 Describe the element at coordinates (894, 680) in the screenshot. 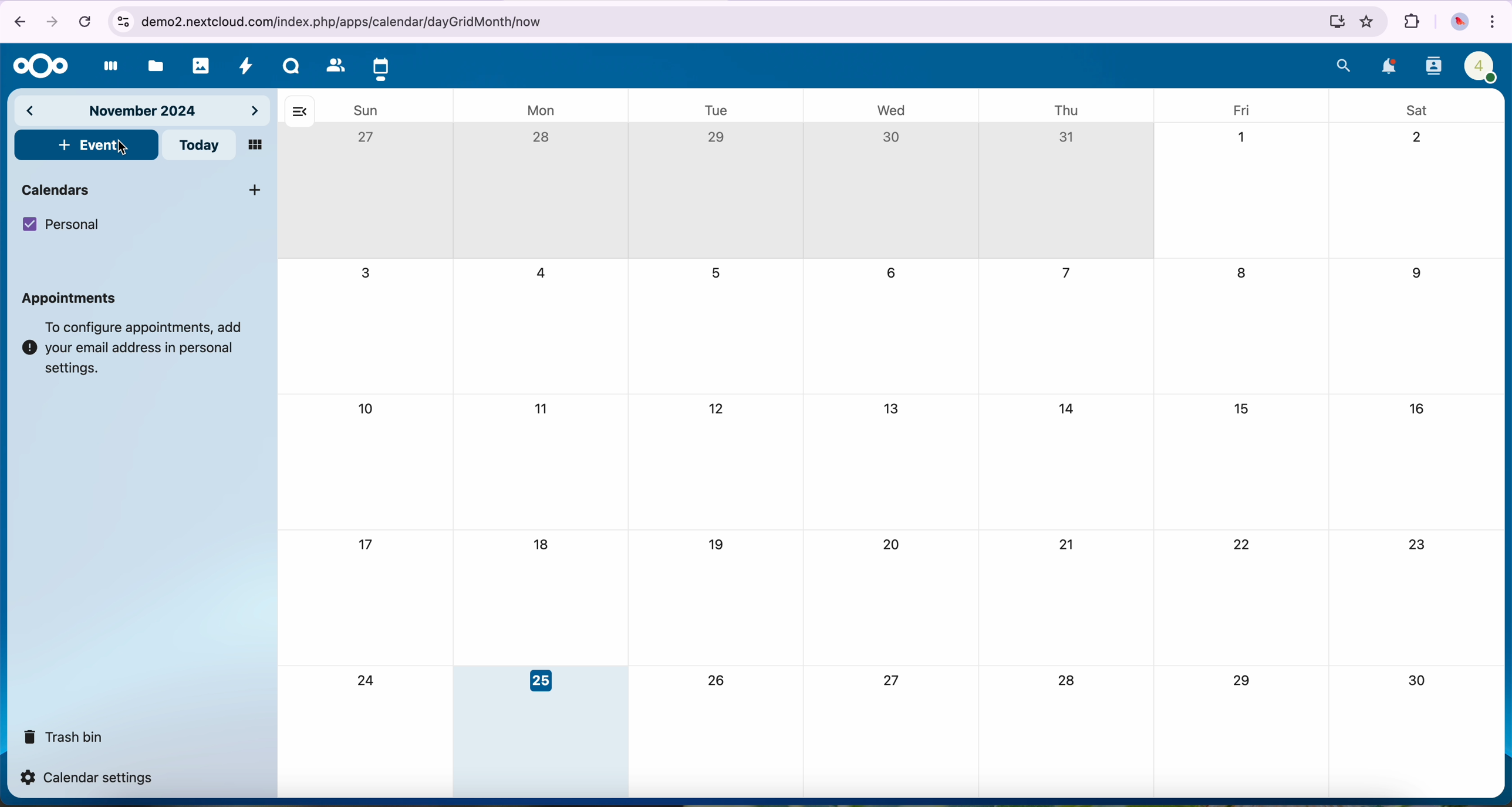

I see `27` at that location.